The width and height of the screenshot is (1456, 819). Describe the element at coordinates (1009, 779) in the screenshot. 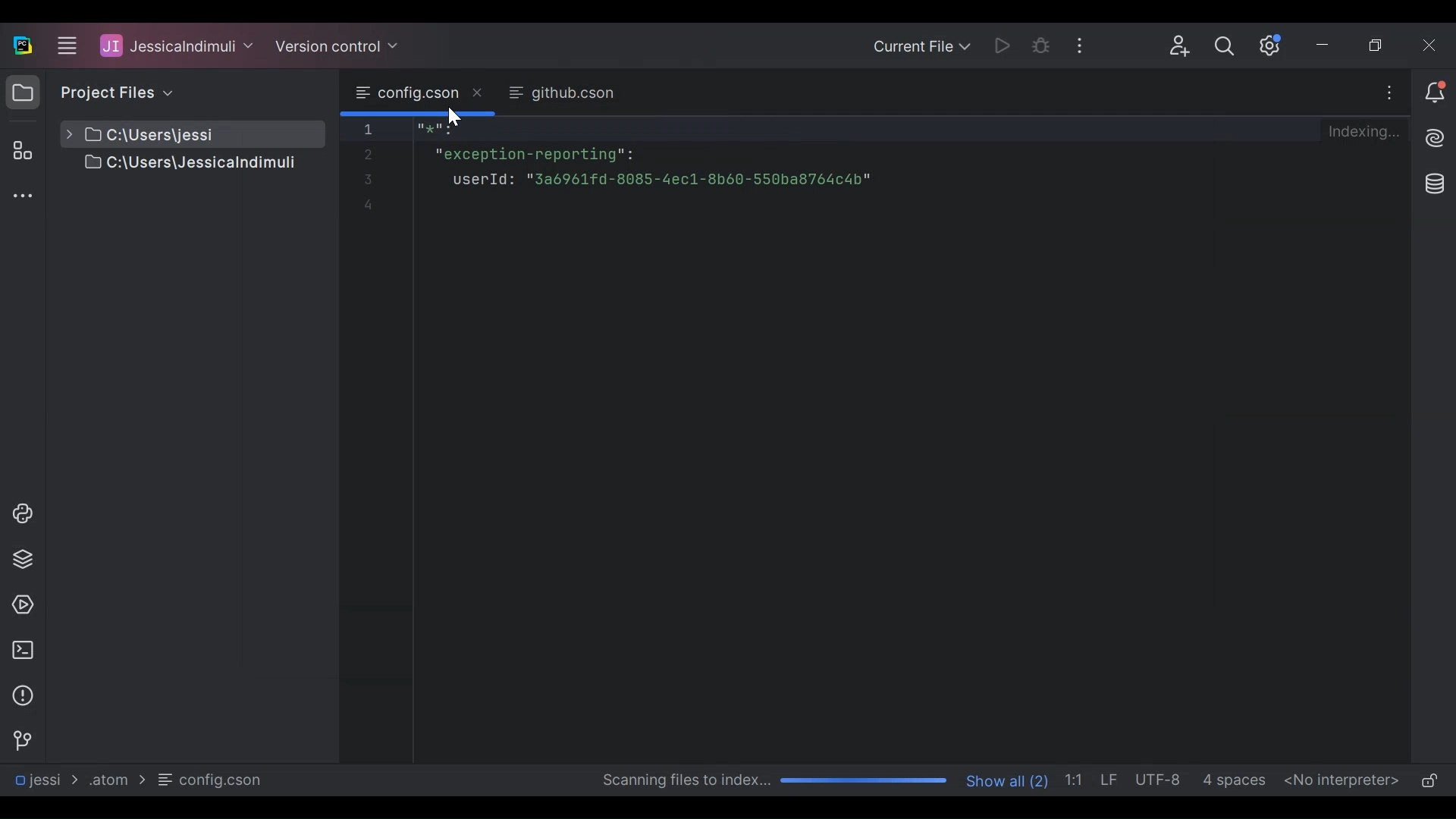

I see `Show Number of Files` at that location.